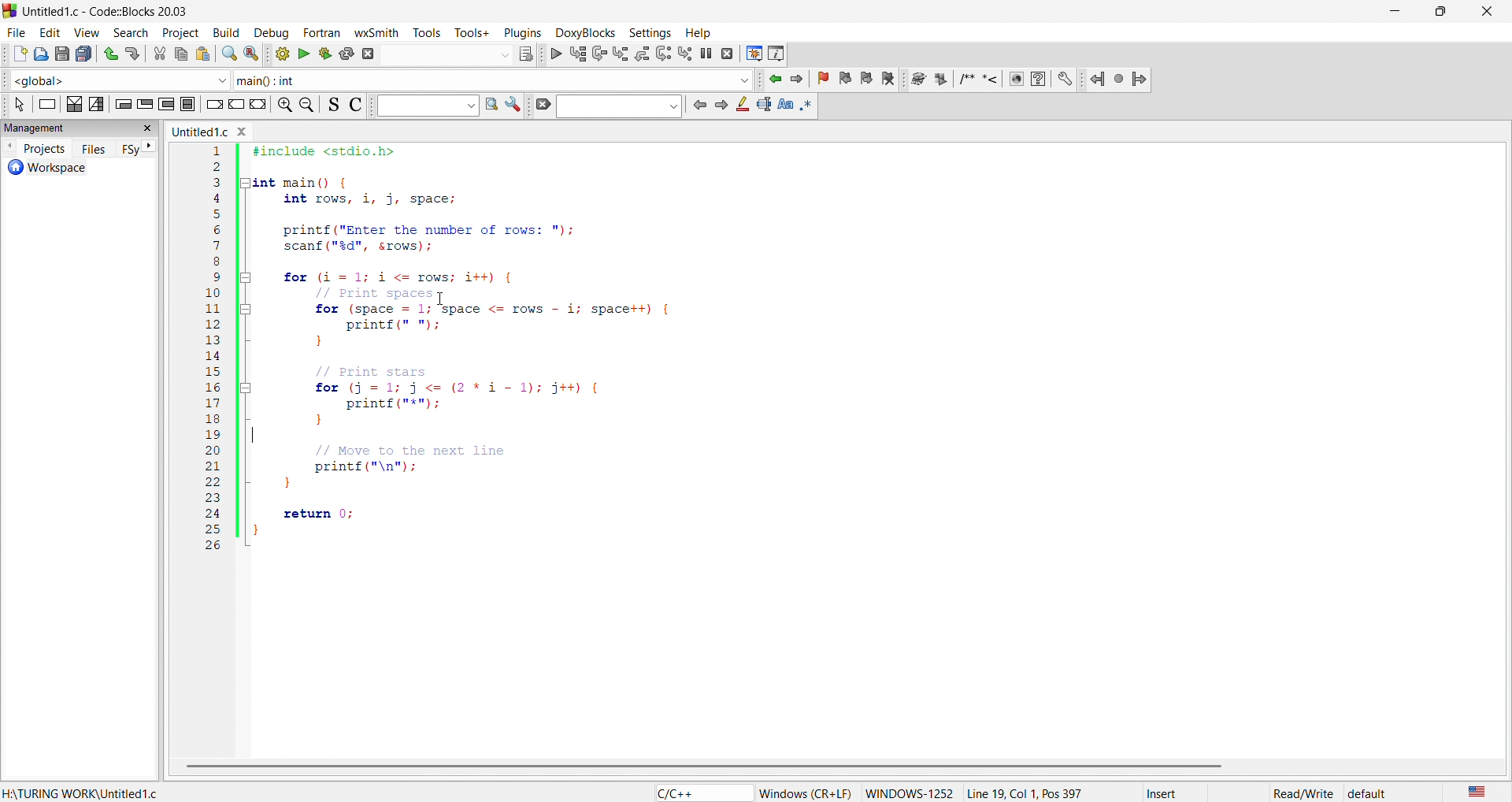 The width and height of the screenshot is (1512, 802). Describe the element at coordinates (14, 30) in the screenshot. I see `file` at that location.